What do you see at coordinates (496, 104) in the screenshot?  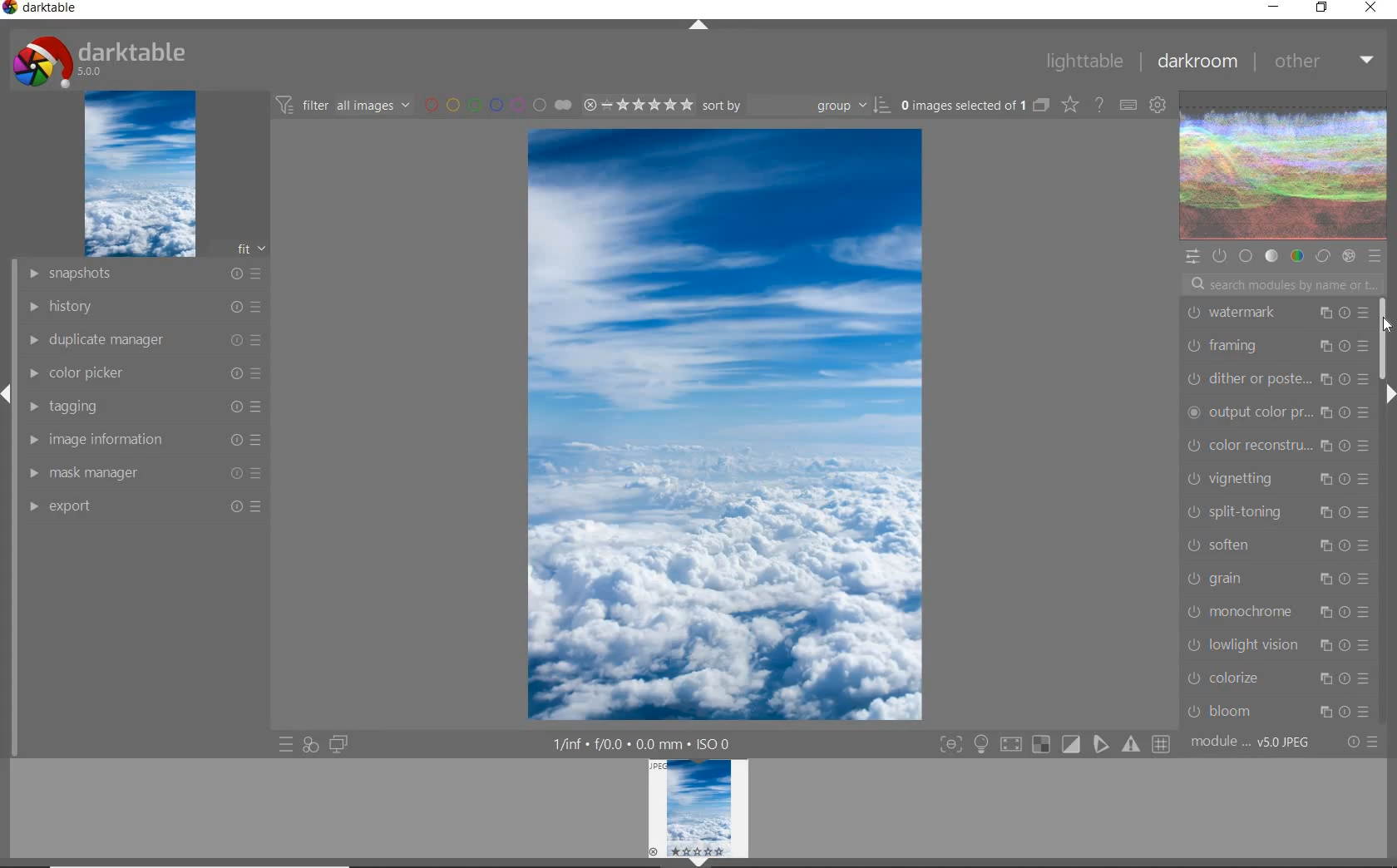 I see `FILTER BY IMAGE COLOR LABEL` at bounding box center [496, 104].